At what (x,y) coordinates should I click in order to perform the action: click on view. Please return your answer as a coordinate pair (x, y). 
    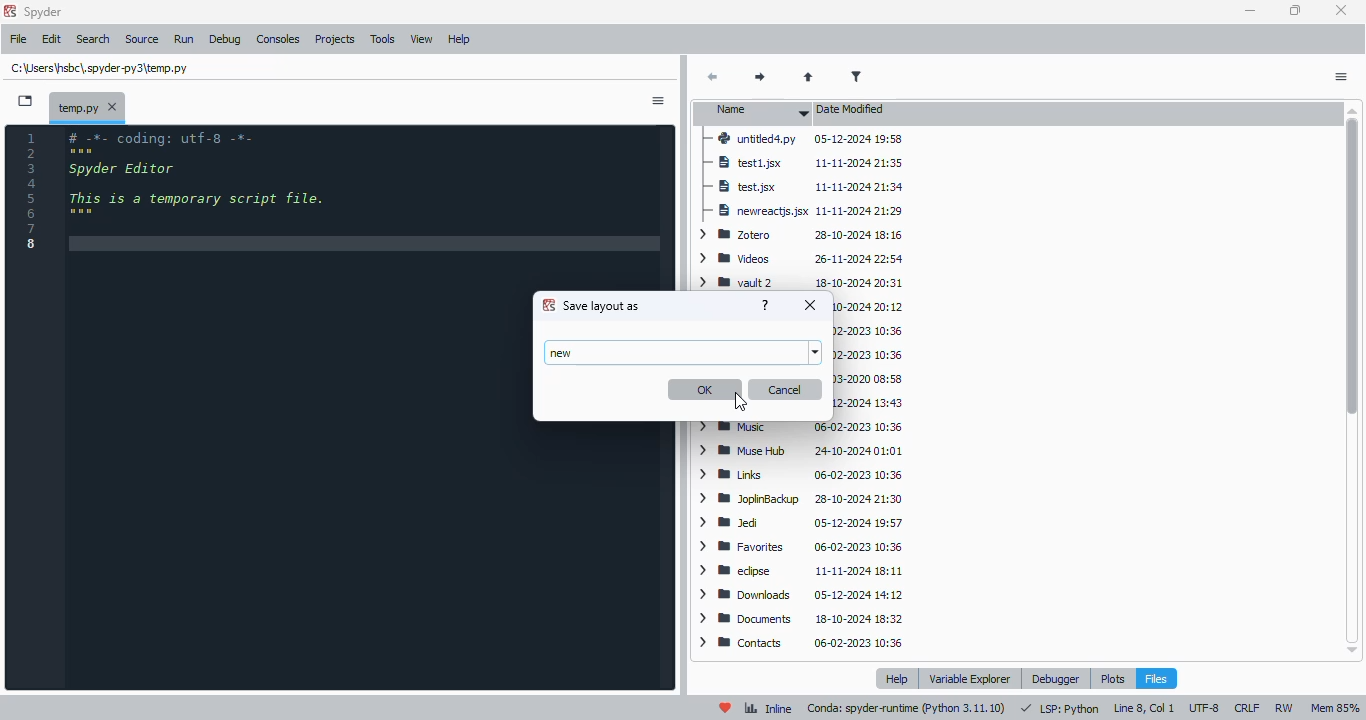
    Looking at the image, I should click on (422, 40).